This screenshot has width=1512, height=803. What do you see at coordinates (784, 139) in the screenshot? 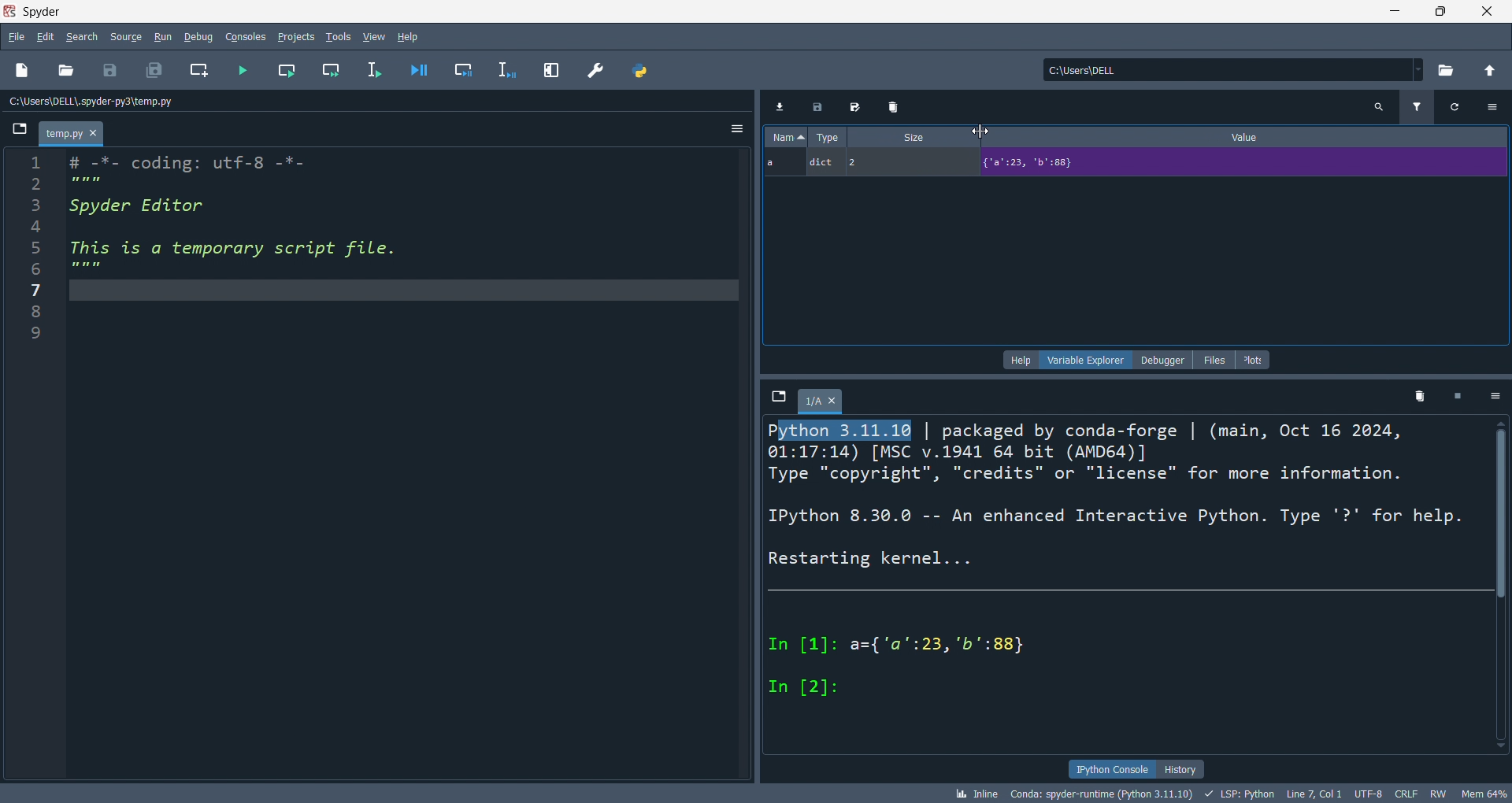
I see `name ` at bounding box center [784, 139].